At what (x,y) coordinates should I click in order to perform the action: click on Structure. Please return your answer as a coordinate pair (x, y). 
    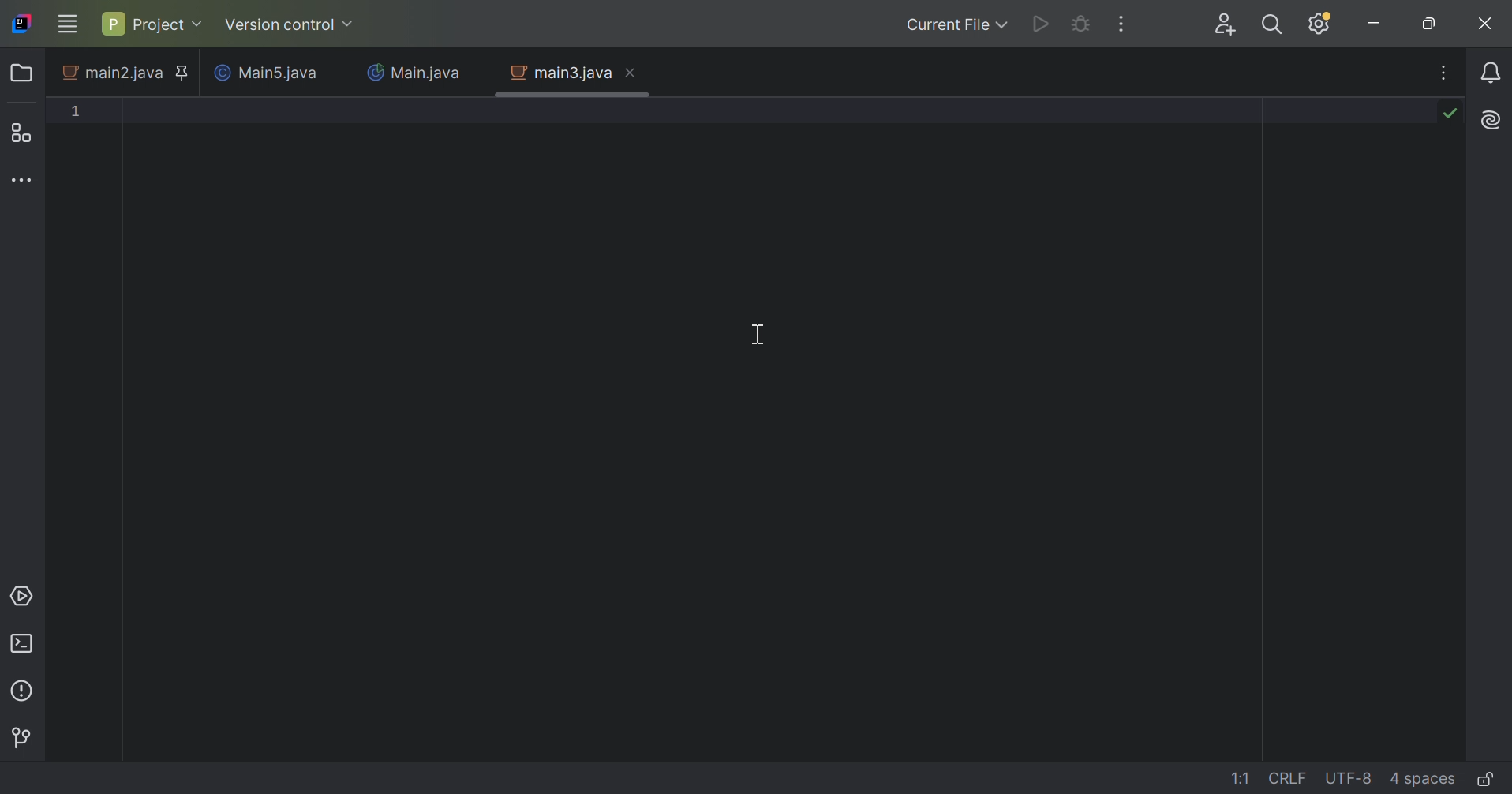
    Looking at the image, I should click on (18, 133).